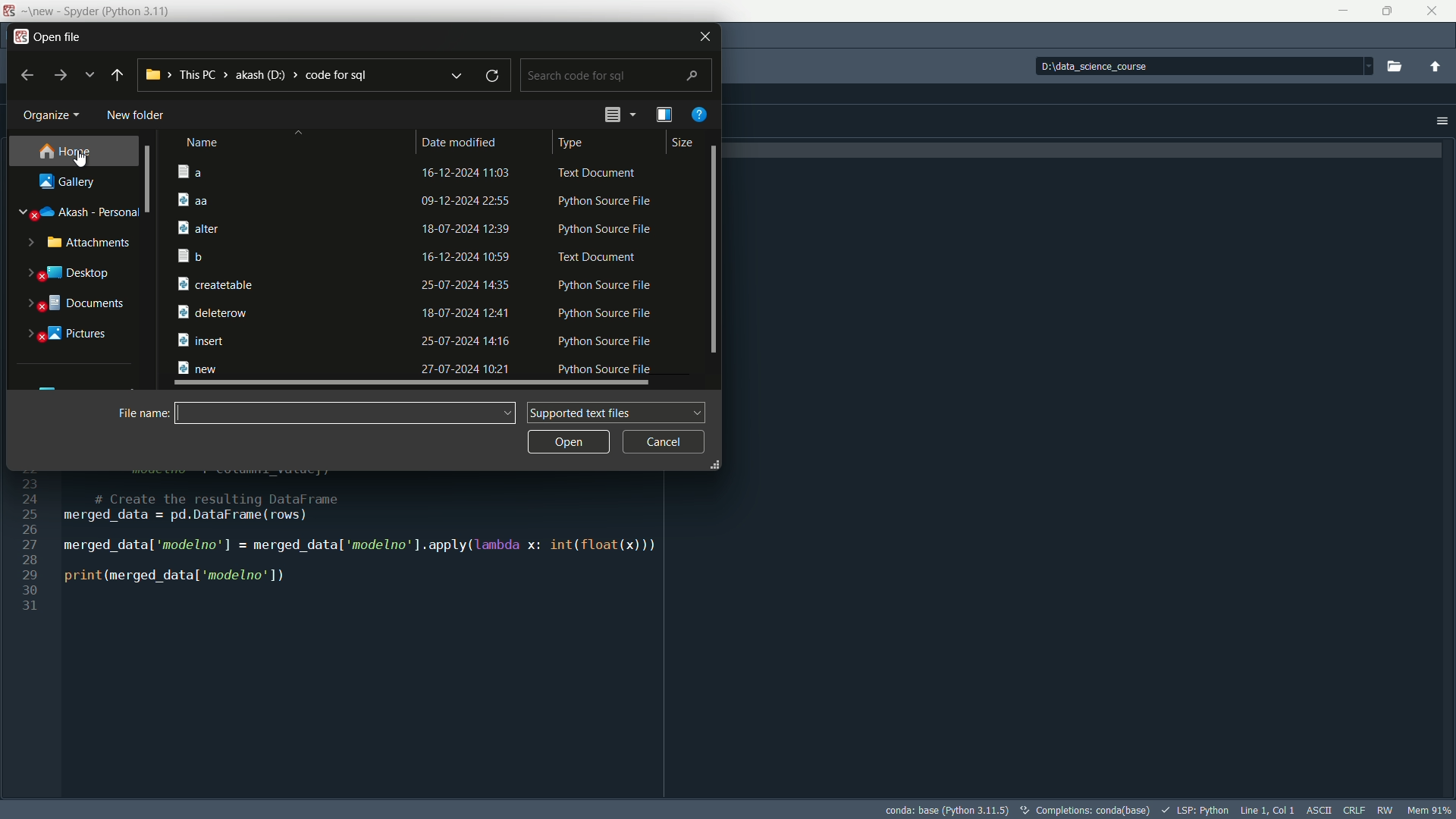 The image size is (1456, 819). I want to click on rw, so click(1385, 811).